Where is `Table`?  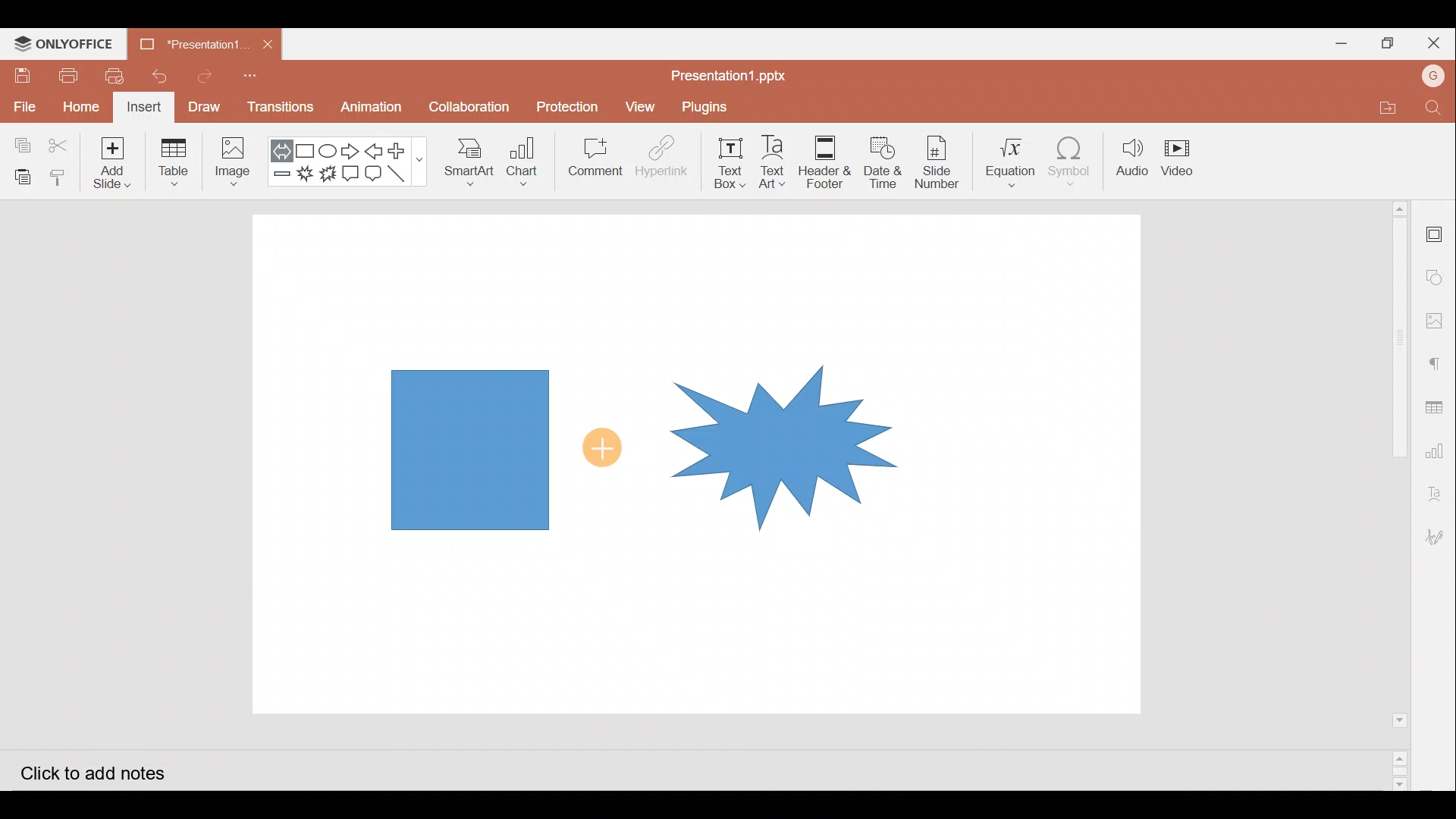 Table is located at coordinates (172, 165).